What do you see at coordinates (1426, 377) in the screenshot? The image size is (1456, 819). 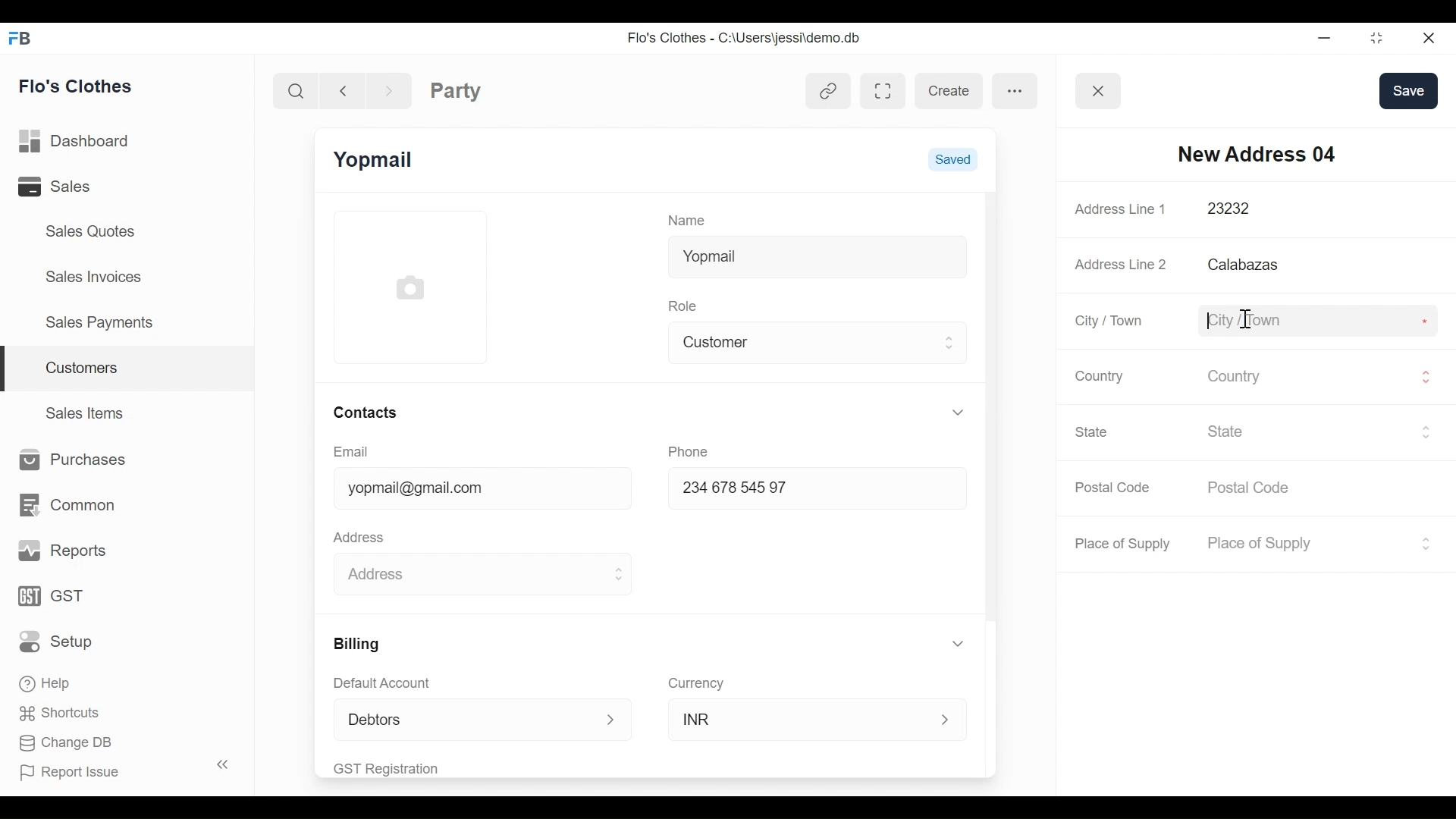 I see `Expand` at bounding box center [1426, 377].